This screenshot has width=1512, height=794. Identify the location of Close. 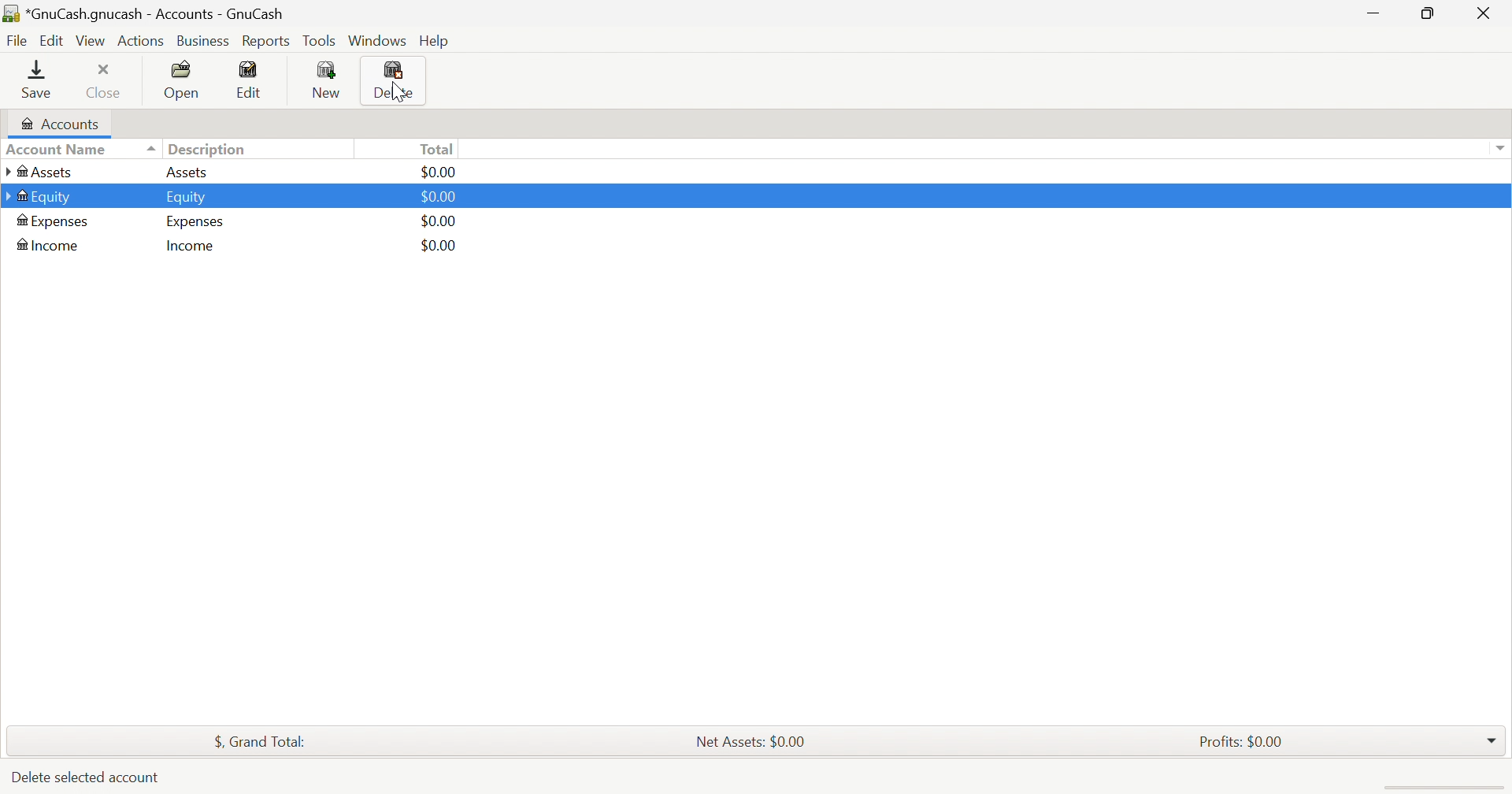
(1488, 14).